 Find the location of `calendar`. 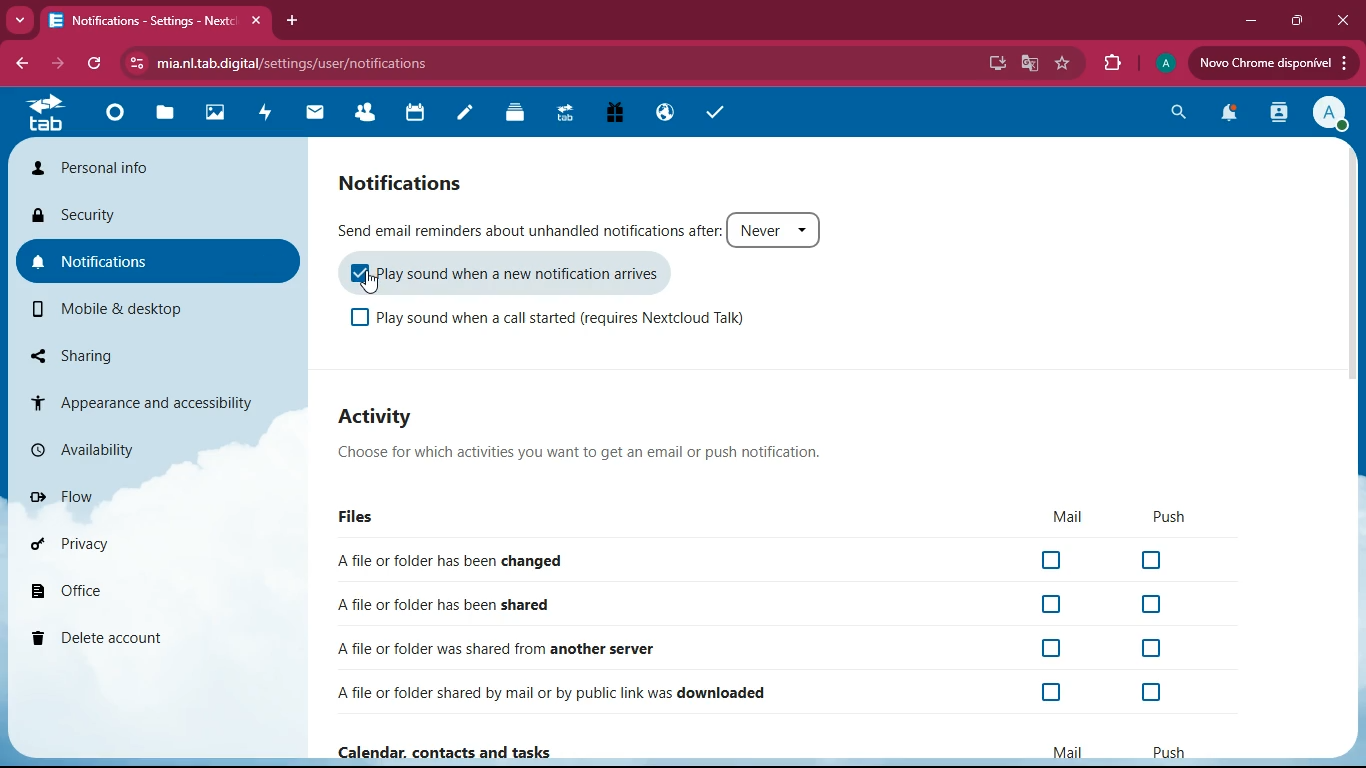

calendar is located at coordinates (422, 115).